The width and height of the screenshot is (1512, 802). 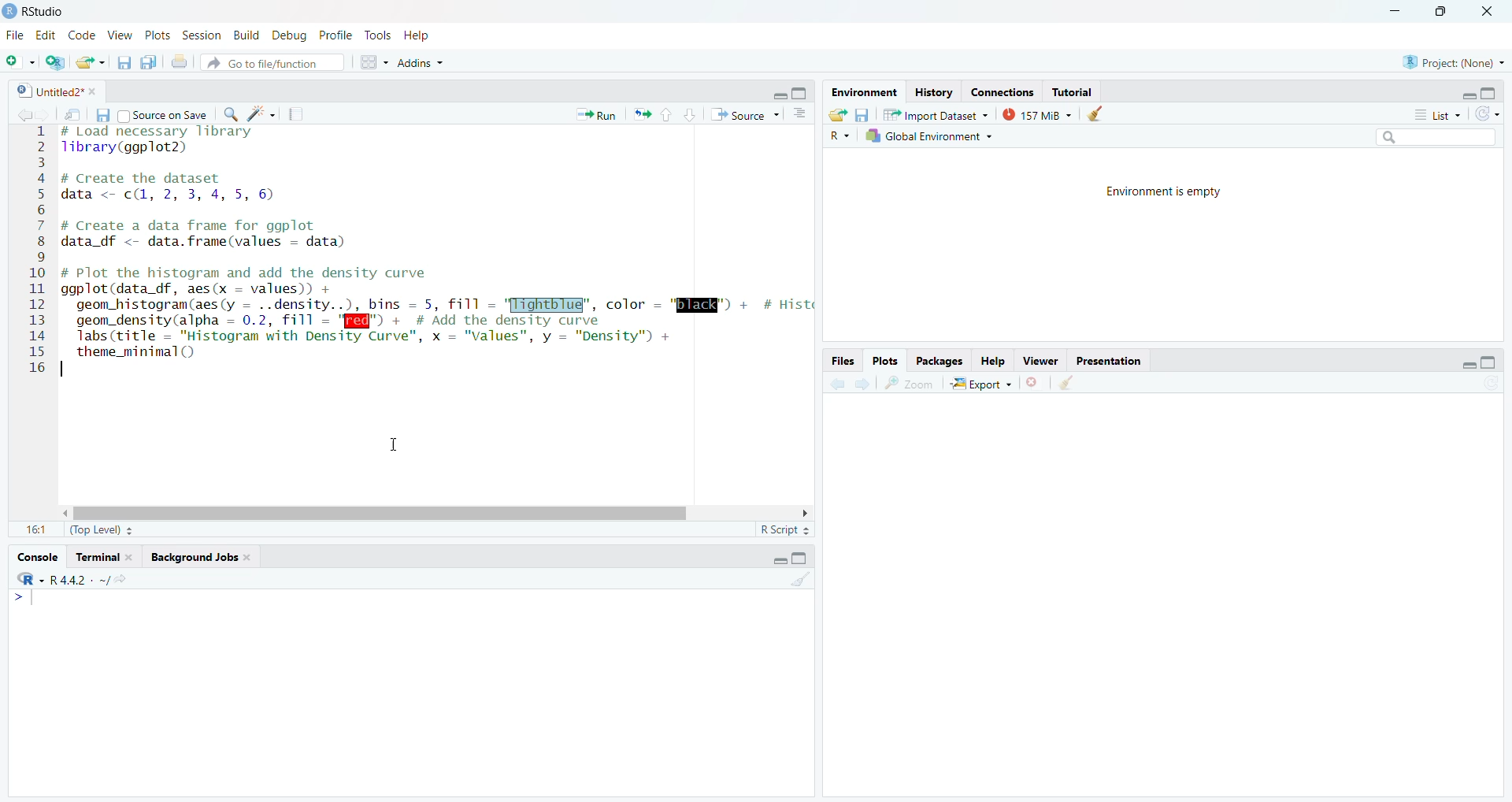 What do you see at coordinates (690, 116) in the screenshot?
I see `go to next section/chunk` at bounding box center [690, 116].